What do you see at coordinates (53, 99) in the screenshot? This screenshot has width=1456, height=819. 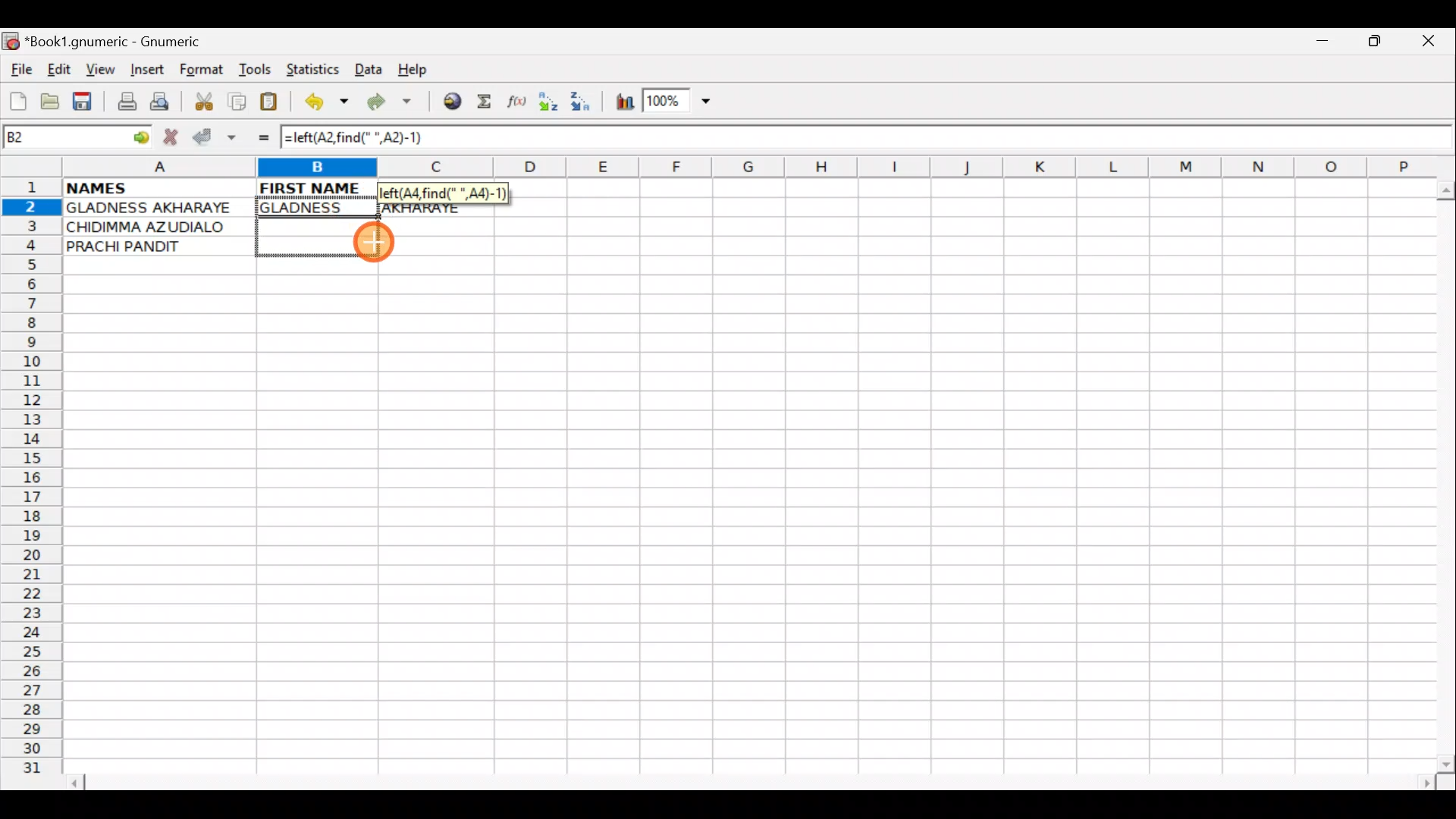 I see `Open a file` at bounding box center [53, 99].